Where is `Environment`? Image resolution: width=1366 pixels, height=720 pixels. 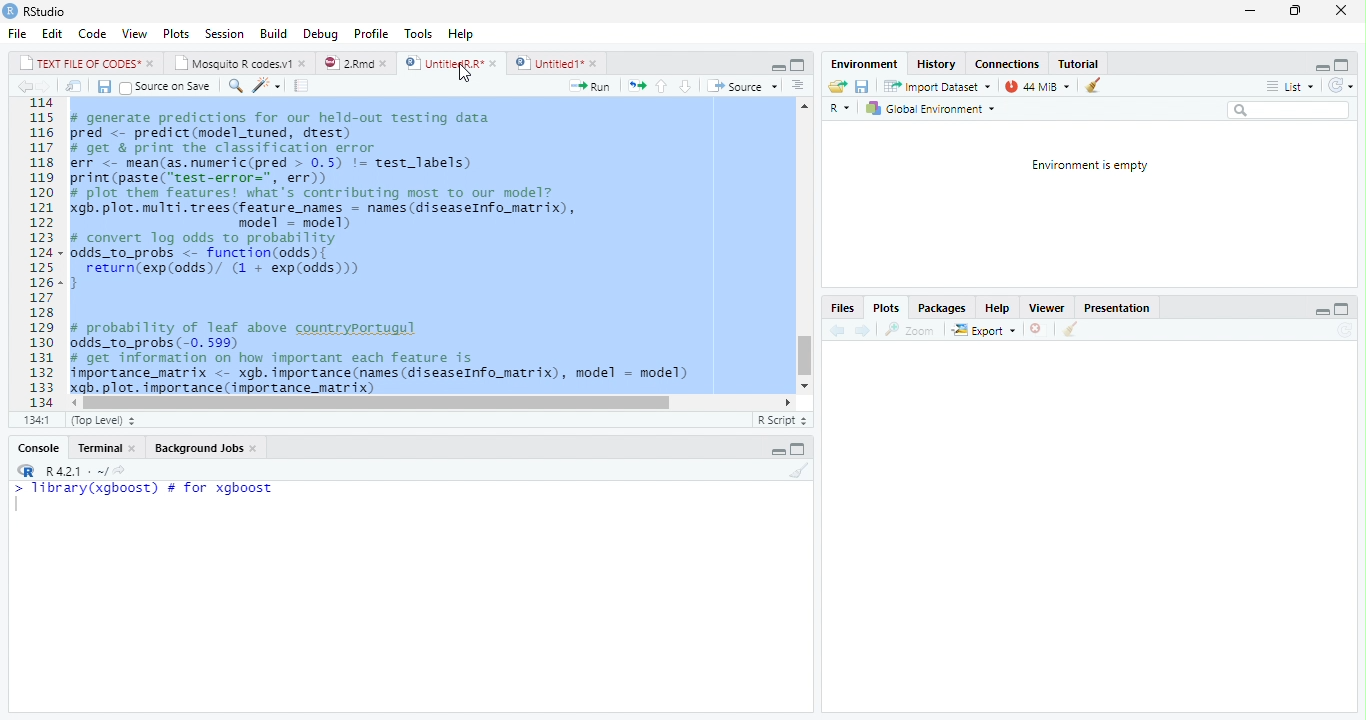 Environment is located at coordinates (859, 63).